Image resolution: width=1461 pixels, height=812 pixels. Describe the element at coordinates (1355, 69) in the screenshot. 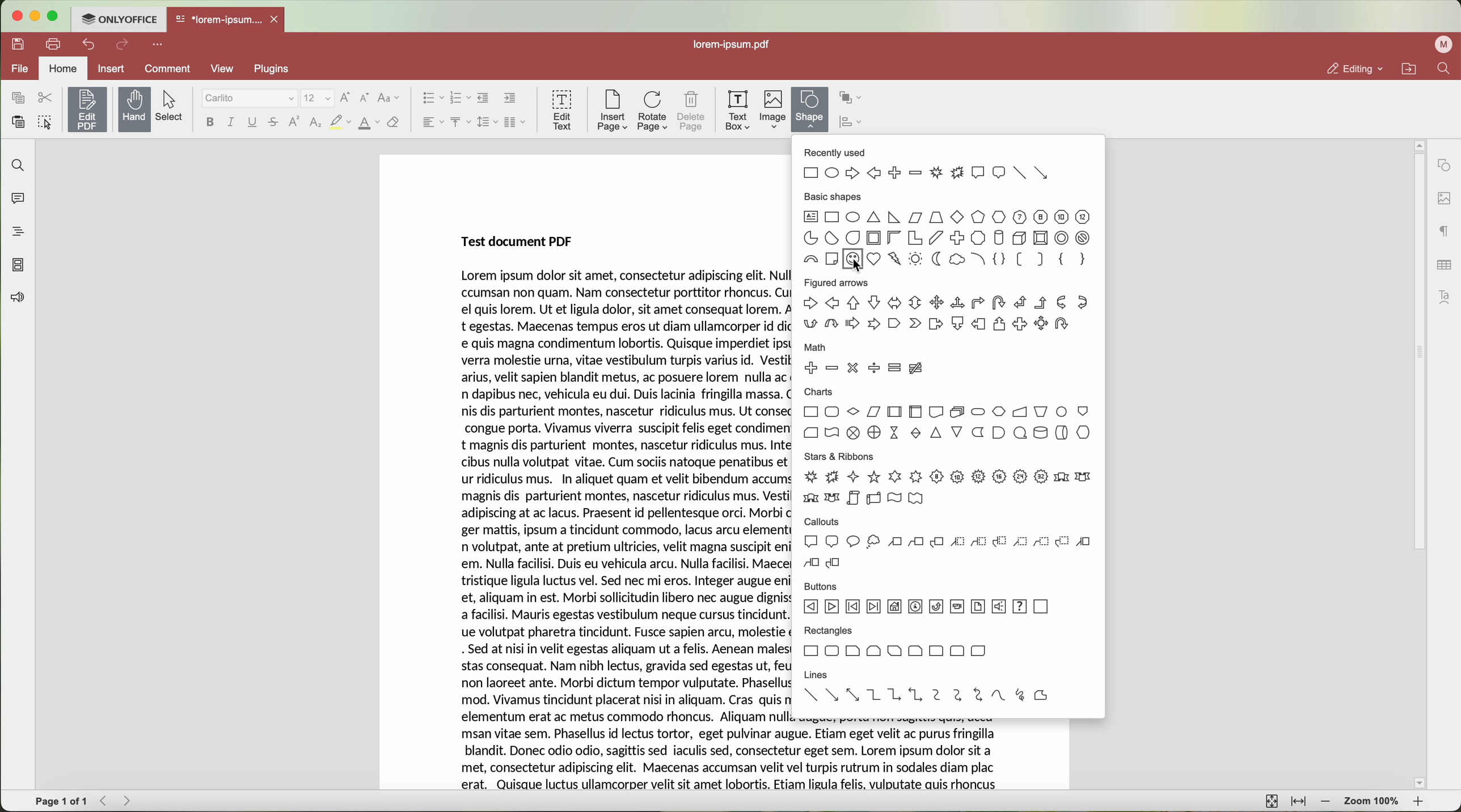

I see `editing` at that location.